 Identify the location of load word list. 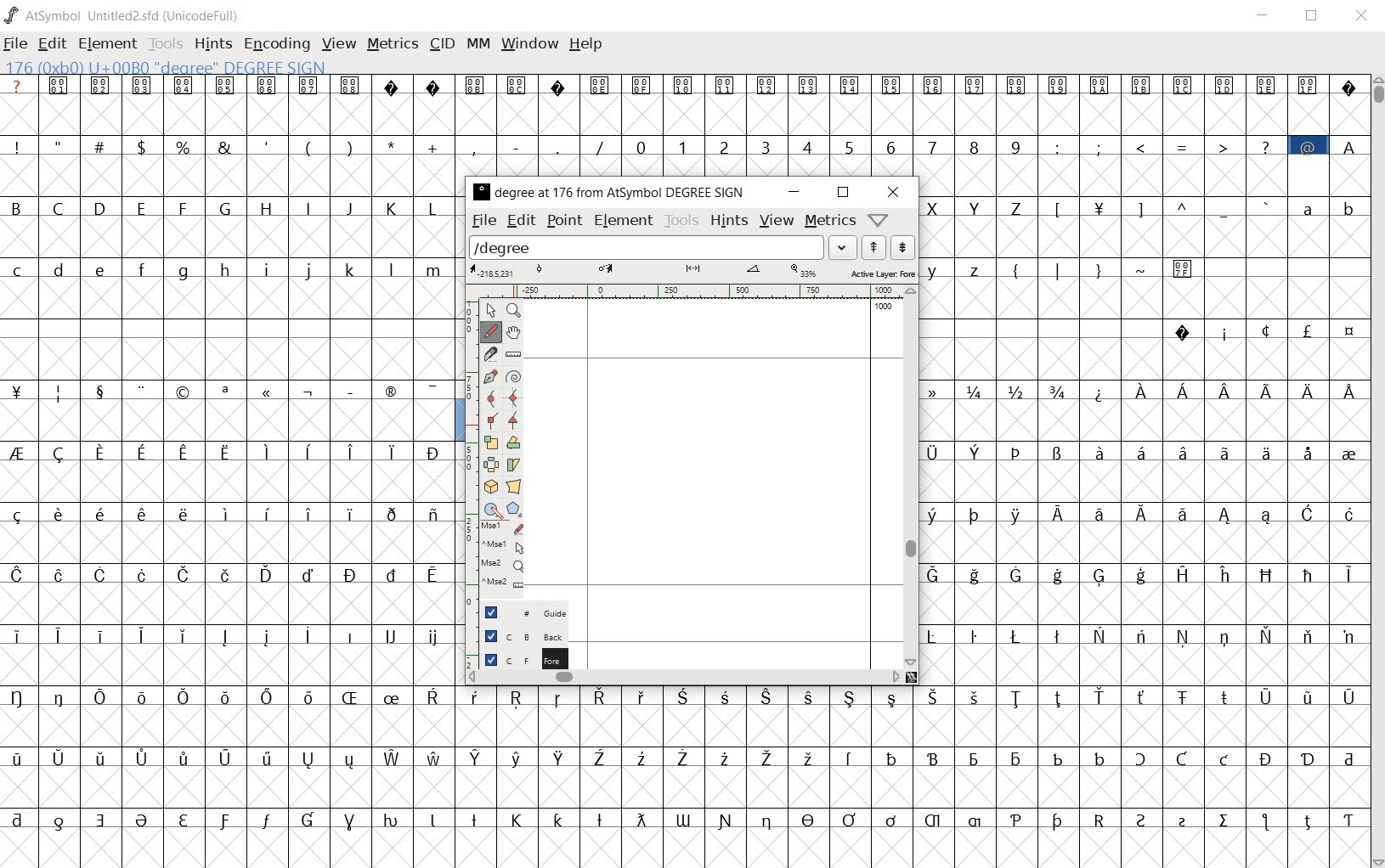
(662, 246).